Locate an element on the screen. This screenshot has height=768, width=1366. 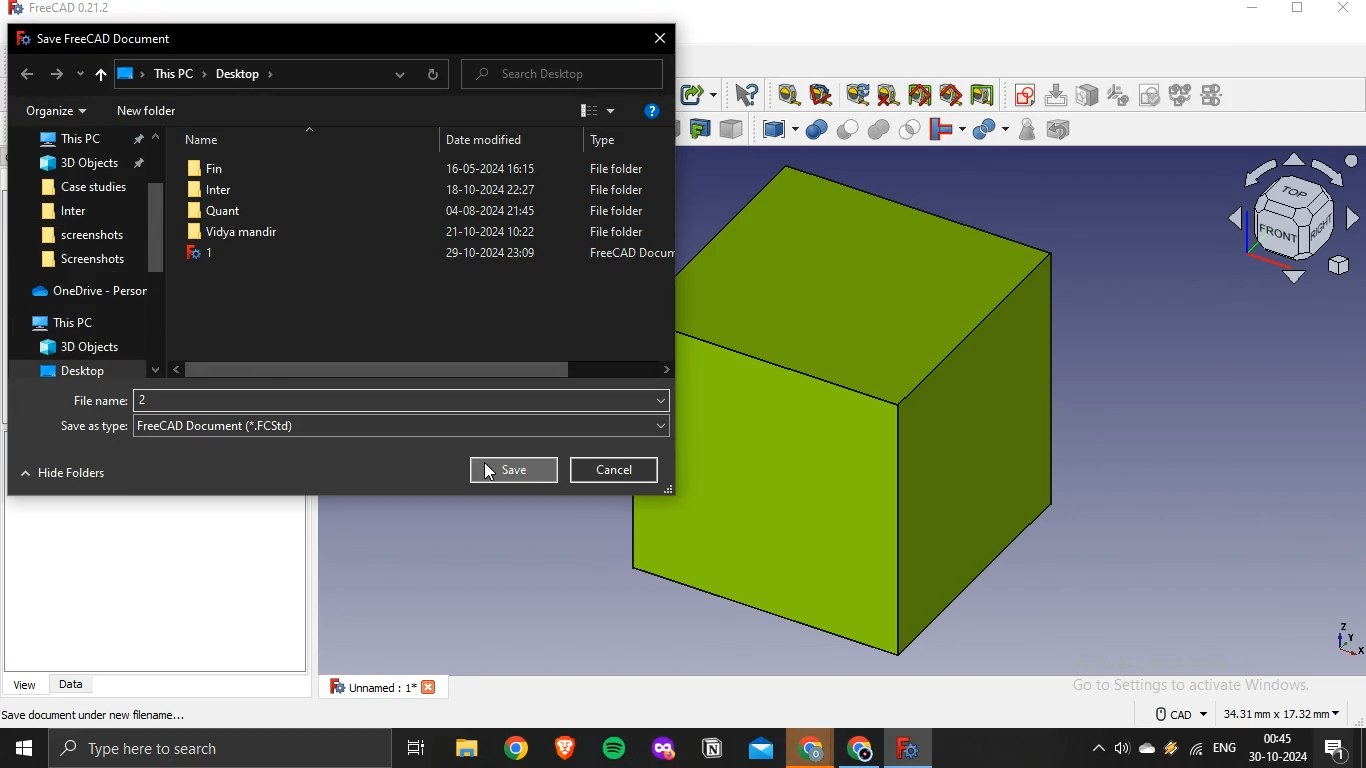
ThisPC > Desktop » is located at coordinates (262, 73).